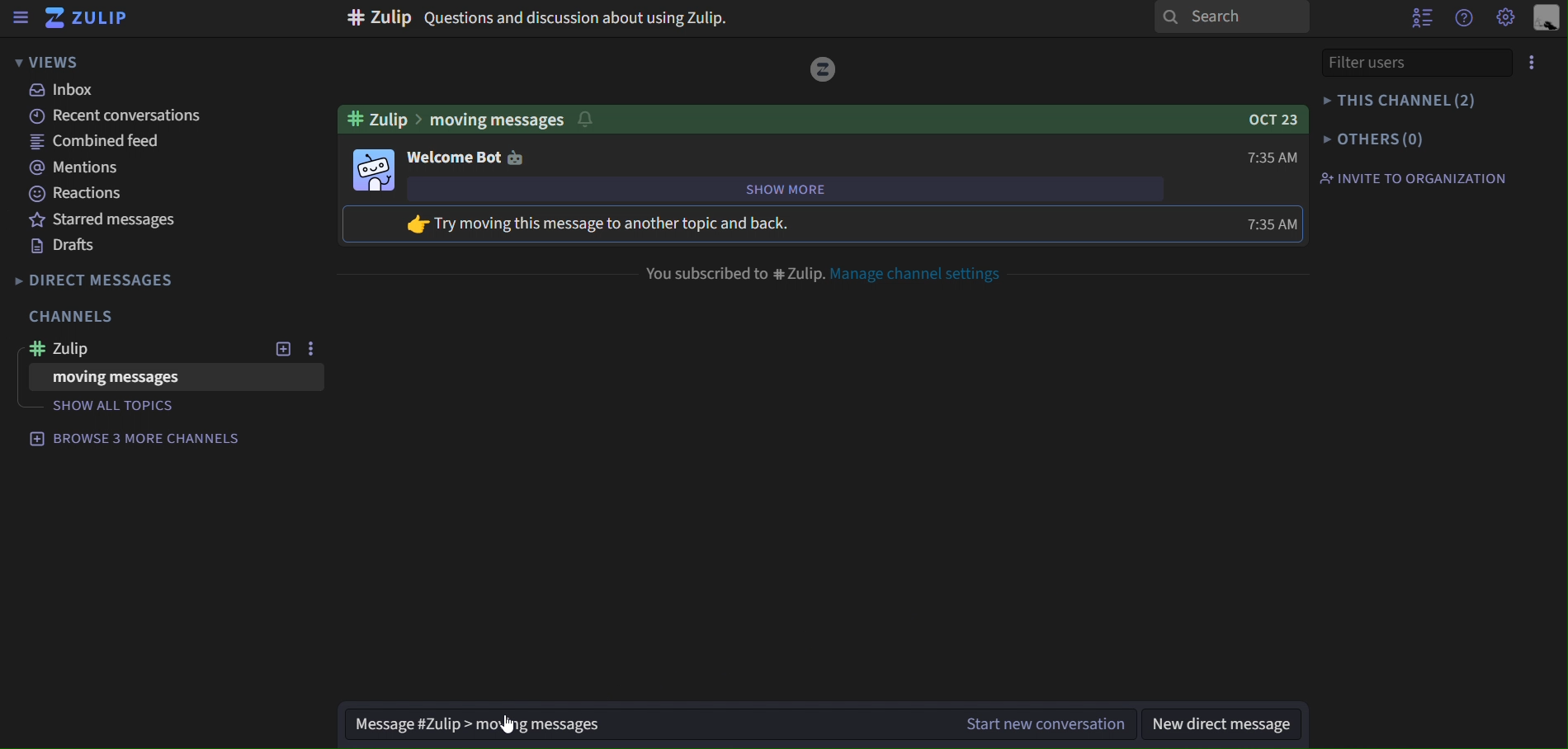 Image resolution: width=1568 pixels, height=749 pixels. What do you see at coordinates (20, 18) in the screenshot?
I see `sidebar` at bounding box center [20, 18].